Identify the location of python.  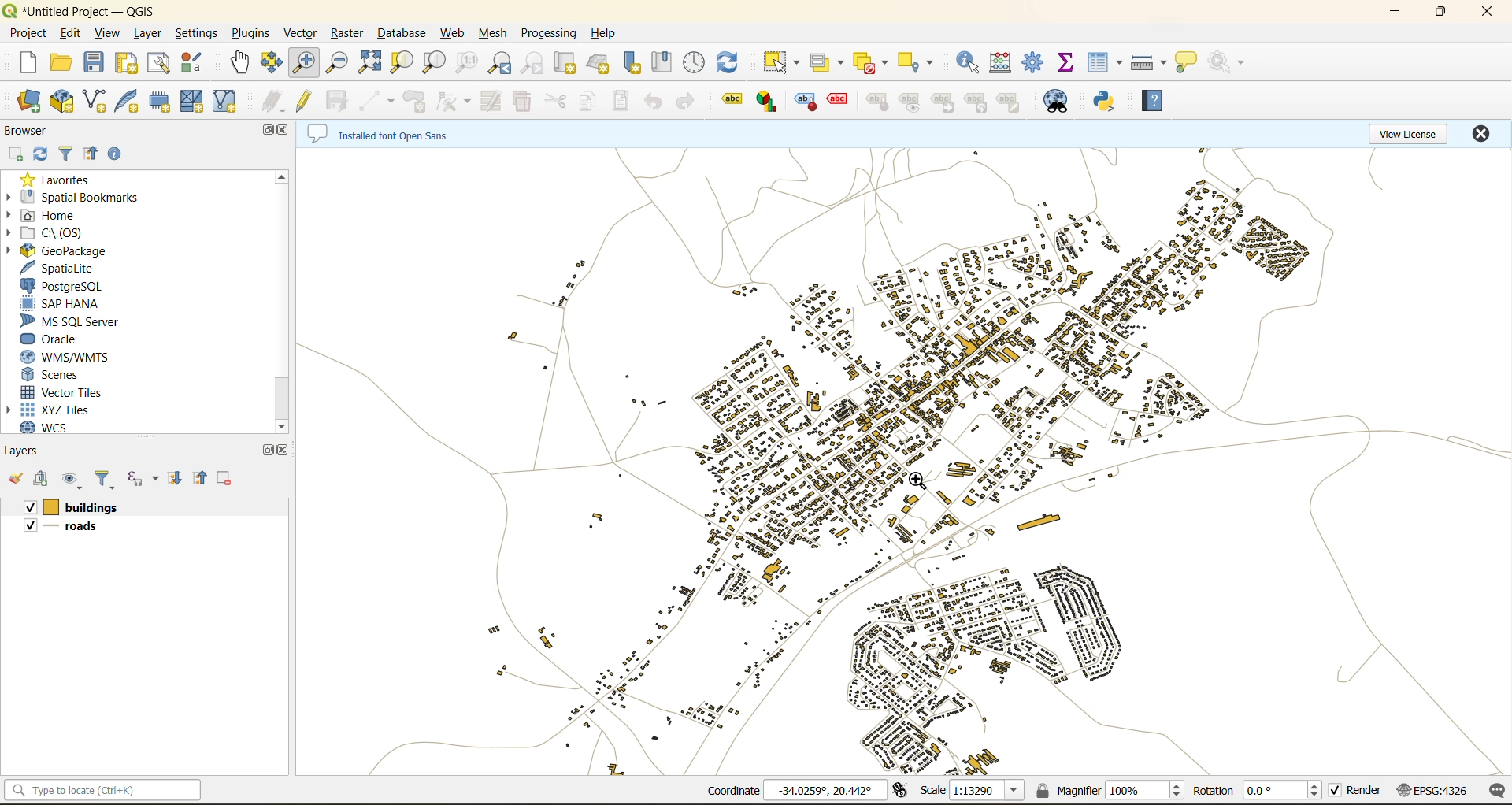
(1108, 102).